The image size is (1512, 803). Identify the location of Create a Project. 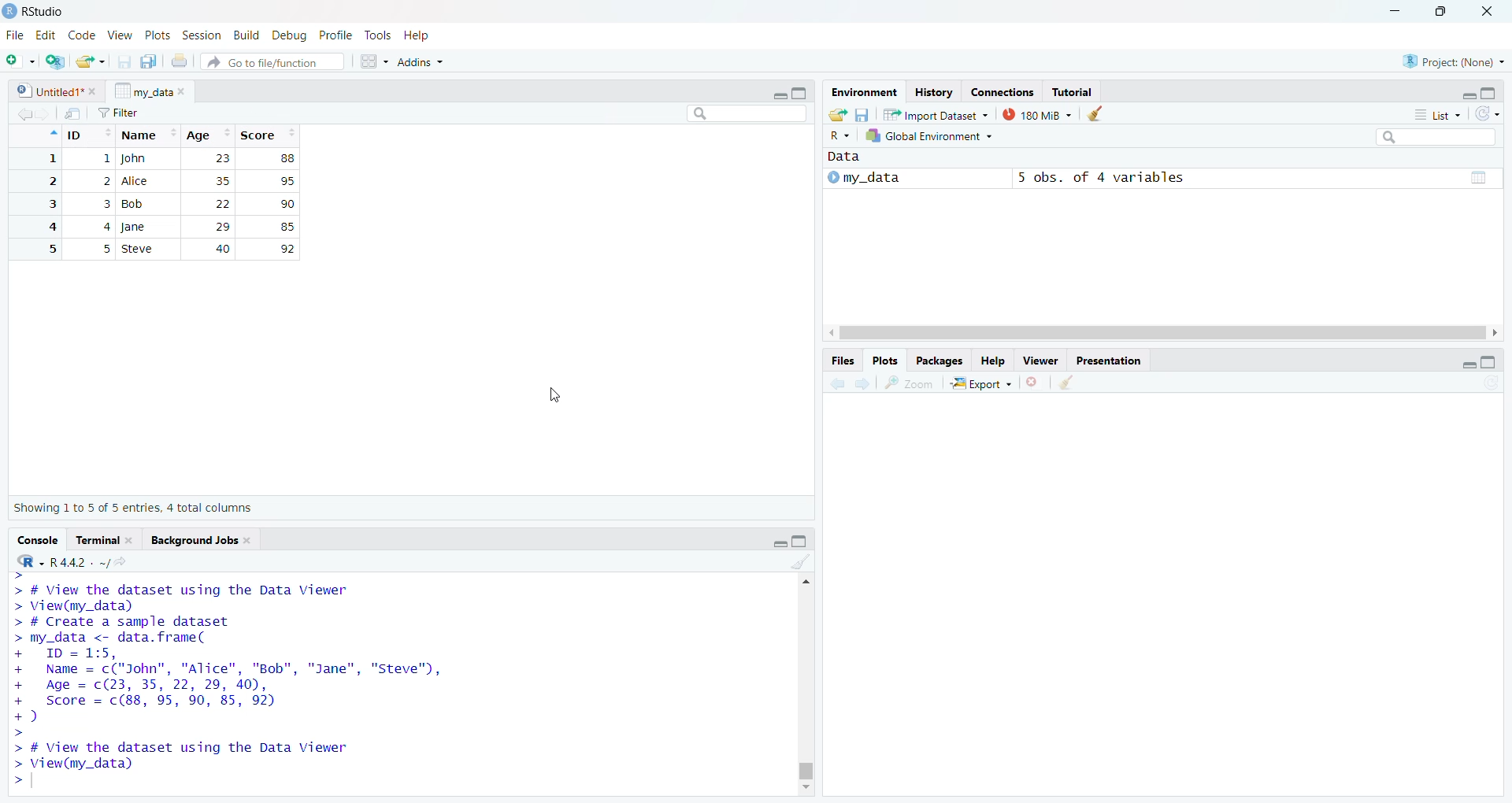
(53, 59).